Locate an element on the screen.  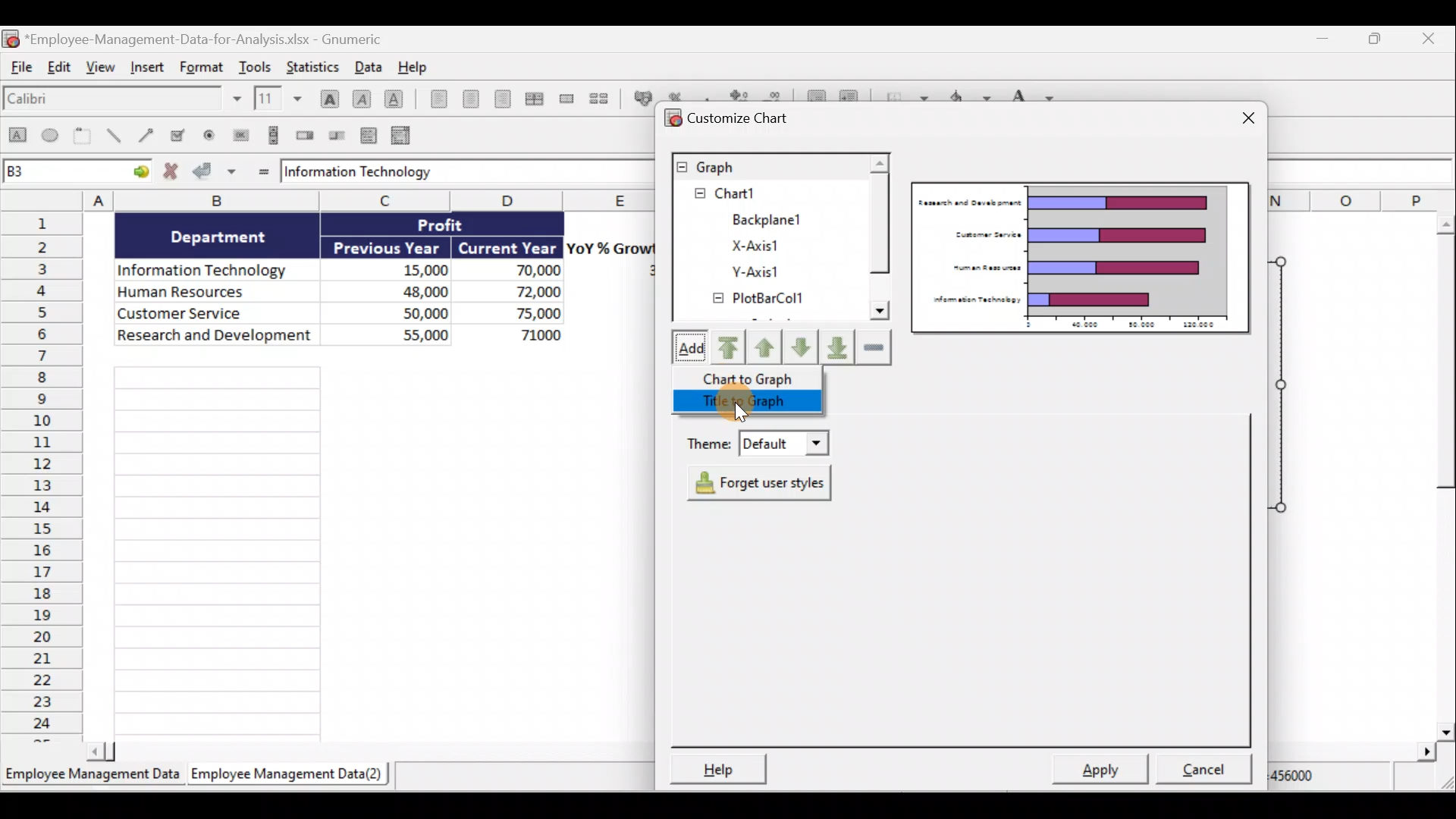
Insert is located at coordinates (147, 66).